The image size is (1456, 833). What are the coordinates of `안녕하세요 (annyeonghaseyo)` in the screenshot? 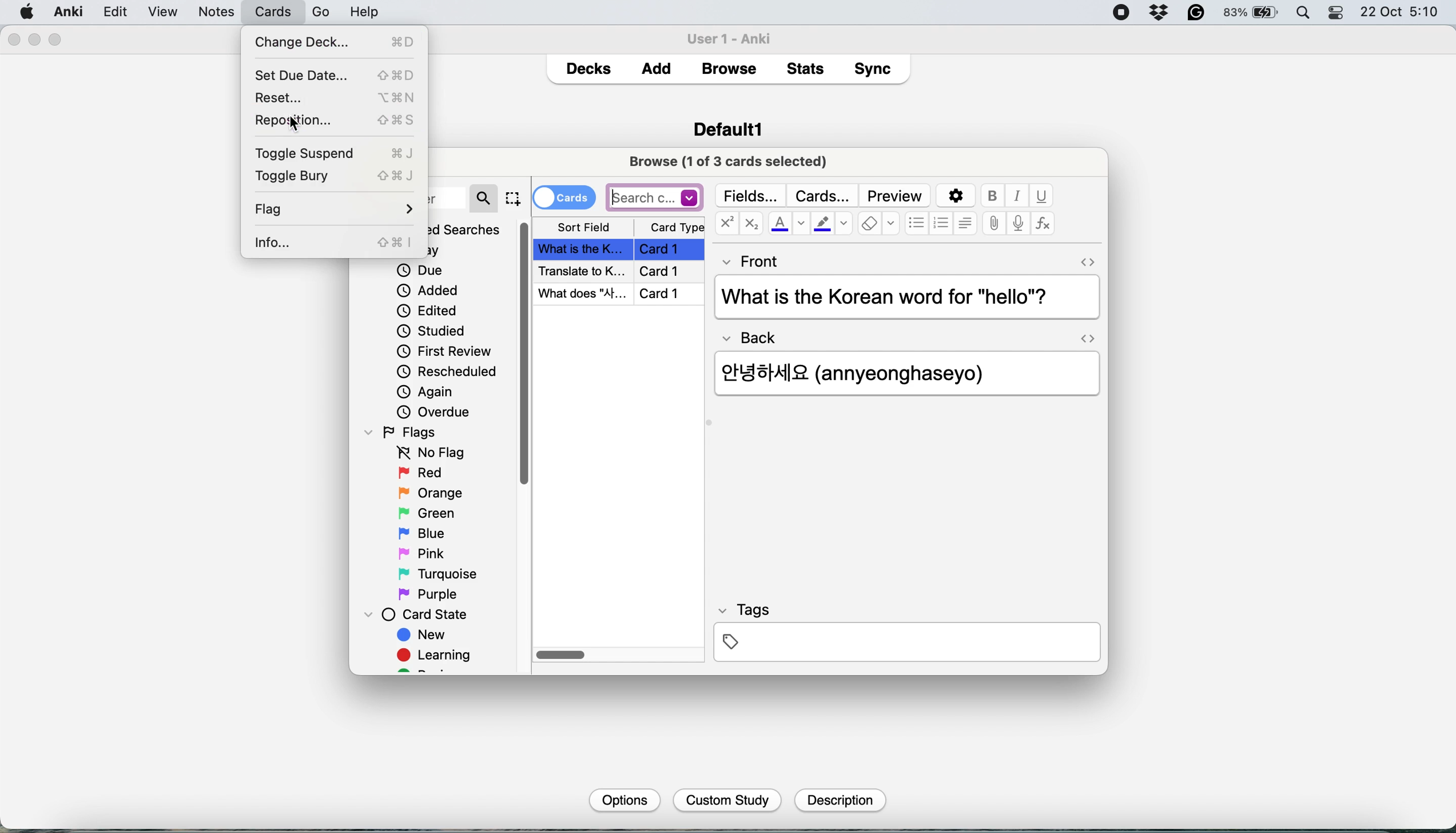 It's located at (869, 371).